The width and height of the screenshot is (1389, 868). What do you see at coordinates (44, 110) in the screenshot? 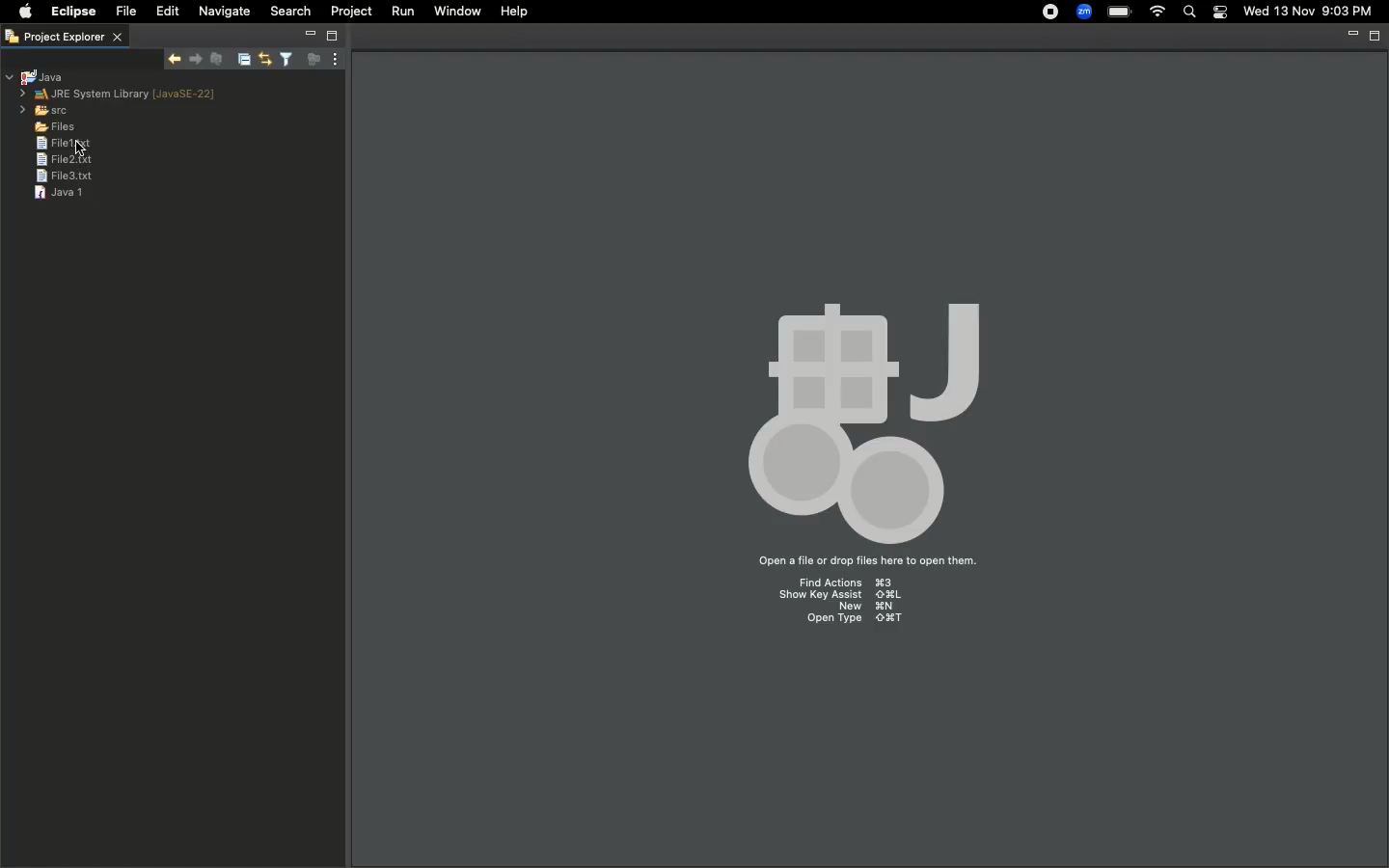
I see `src` at bounding box center [44, 110].